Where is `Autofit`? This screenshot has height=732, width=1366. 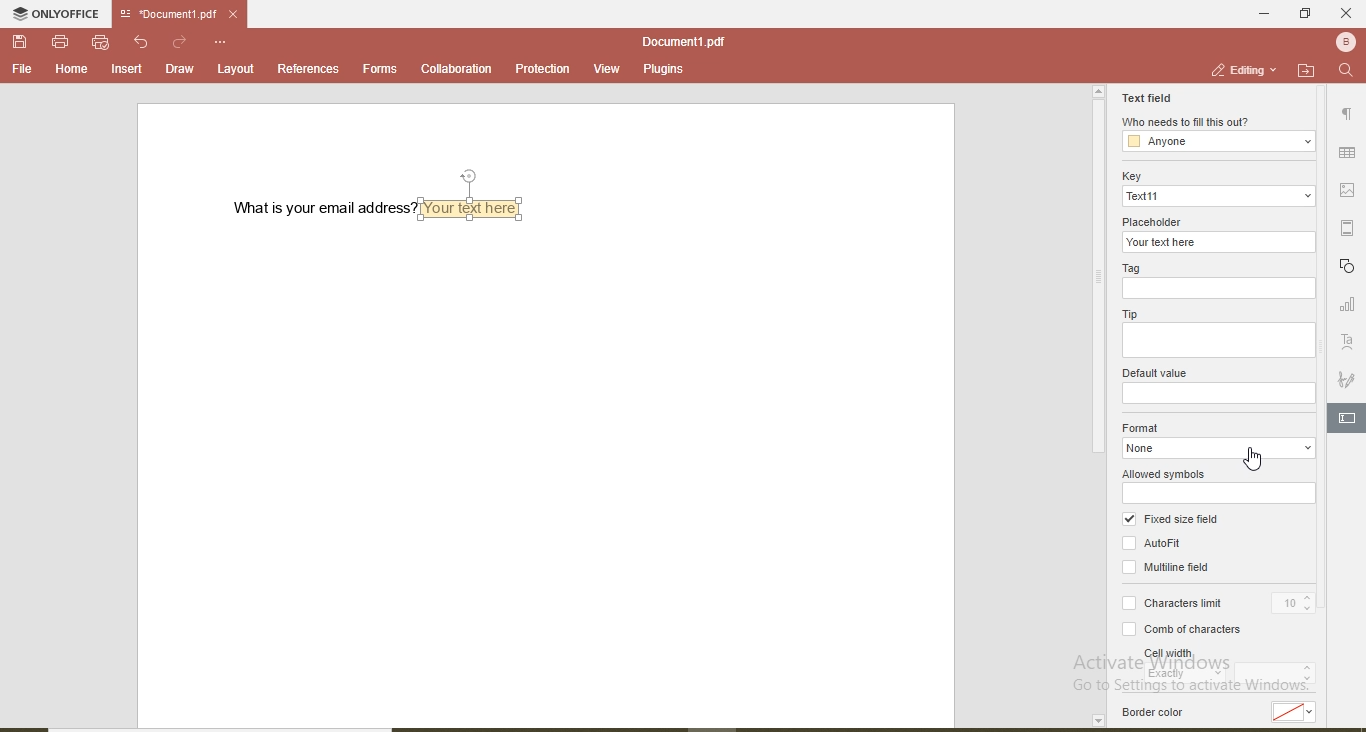
Autofit is located at coordinates (1153, 544).